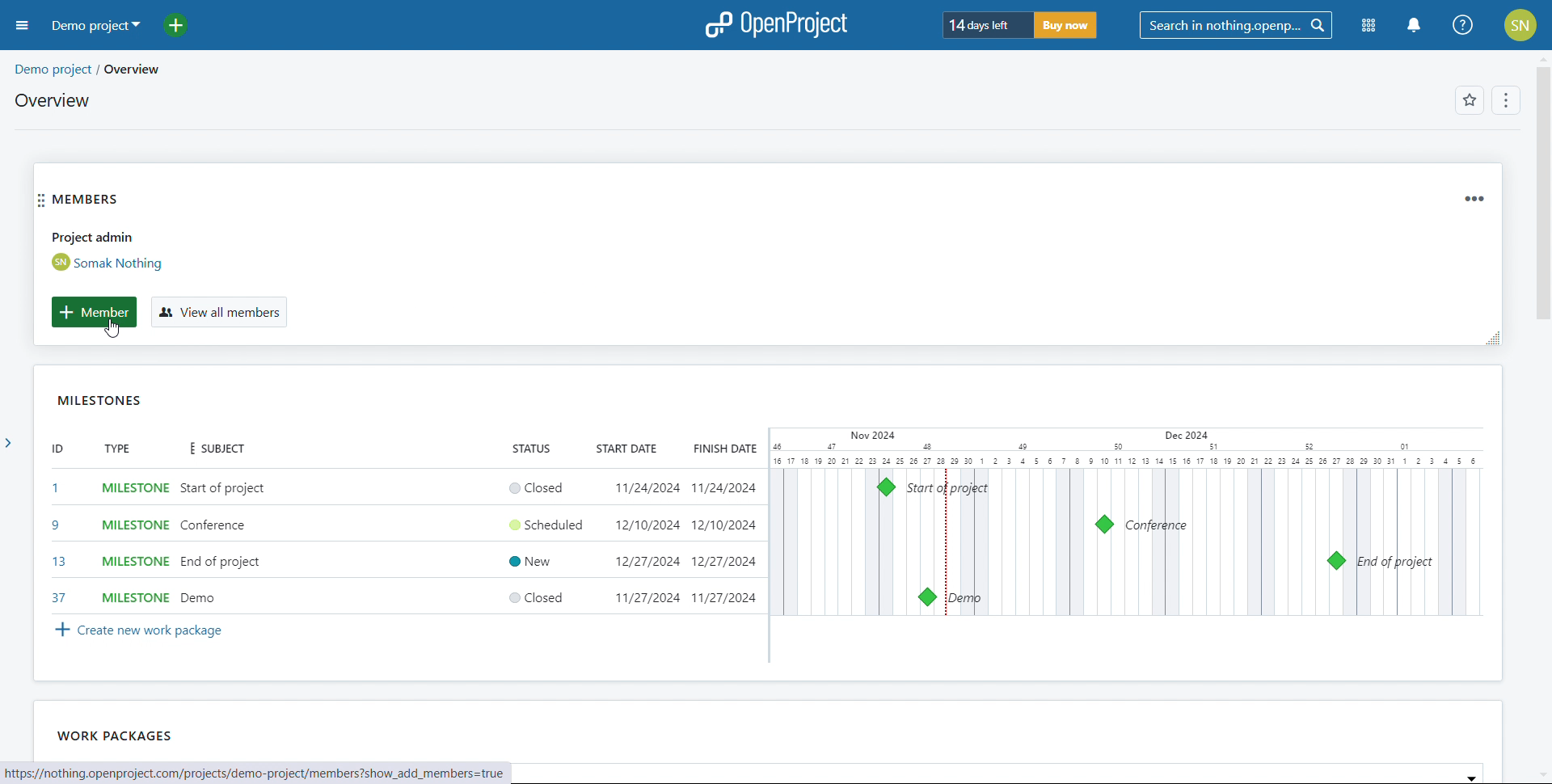 Image resolution: width=1552 pixels, height=784 pixels. Describe the element at coordinates (1236, 25) in the screenshot. I see `search` at that location.